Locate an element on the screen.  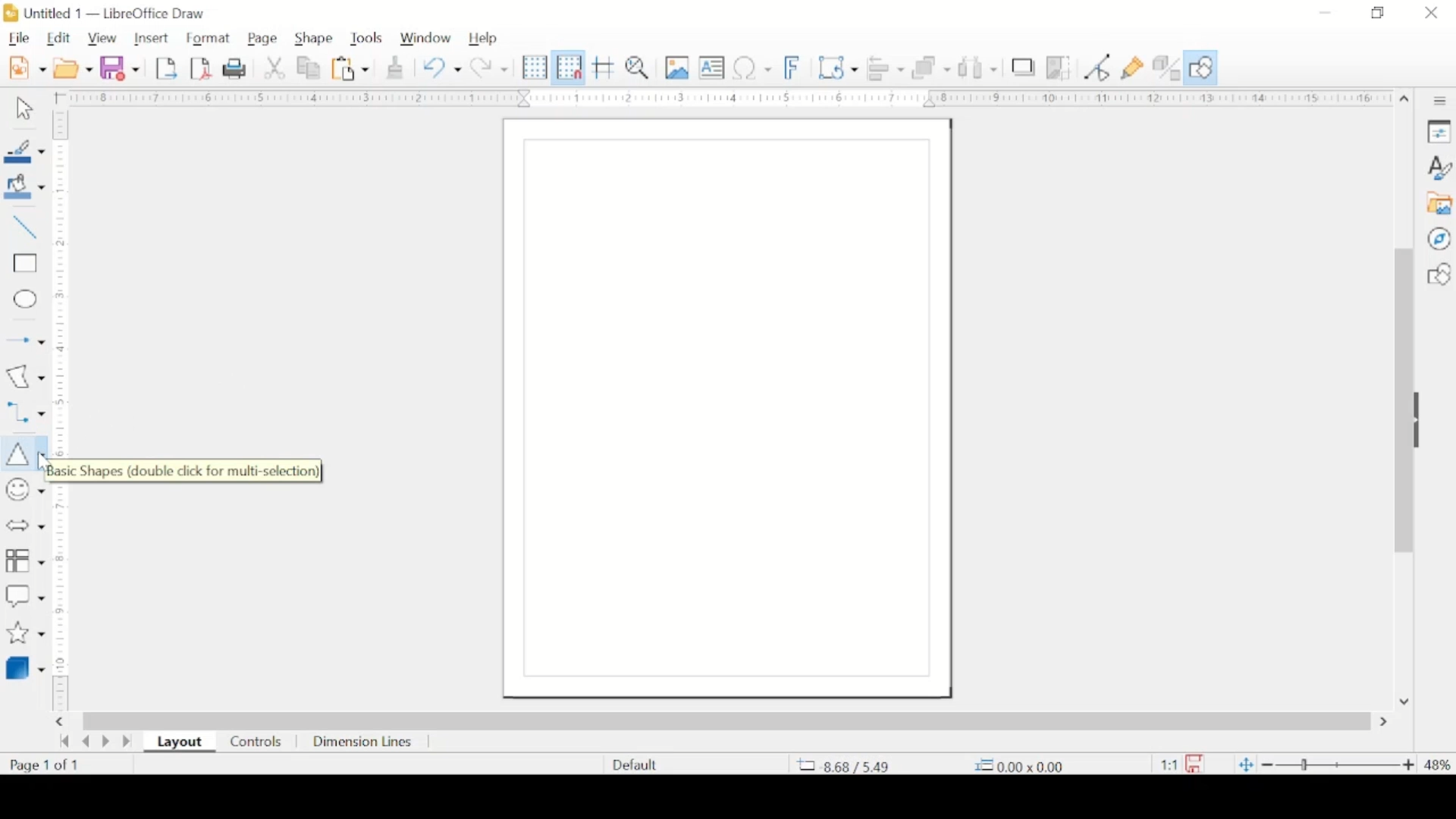
insert rectangle is located at coordinates (24, 265).